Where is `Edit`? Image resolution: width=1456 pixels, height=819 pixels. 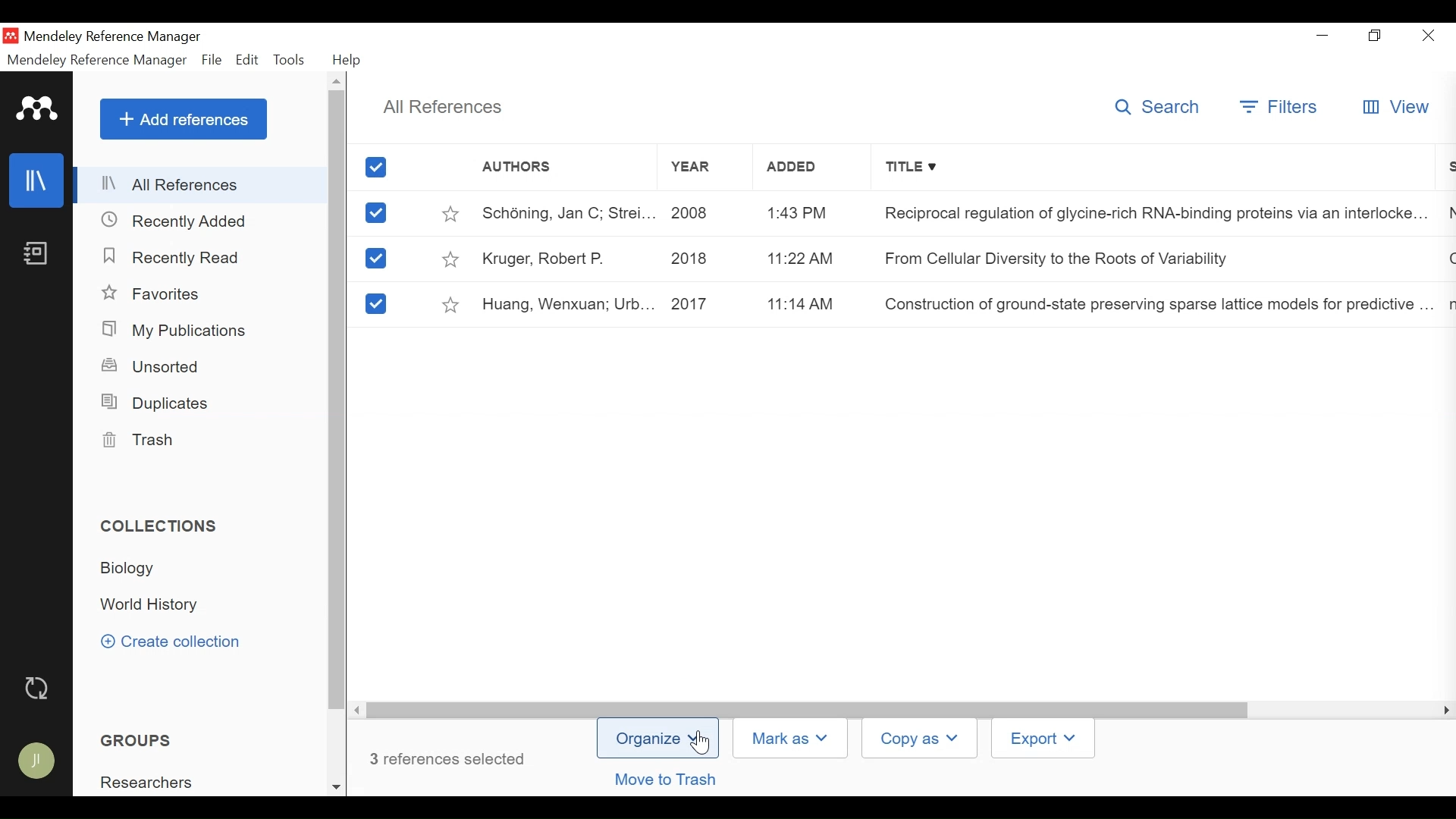
Edit is located at coordinates (246, 60).